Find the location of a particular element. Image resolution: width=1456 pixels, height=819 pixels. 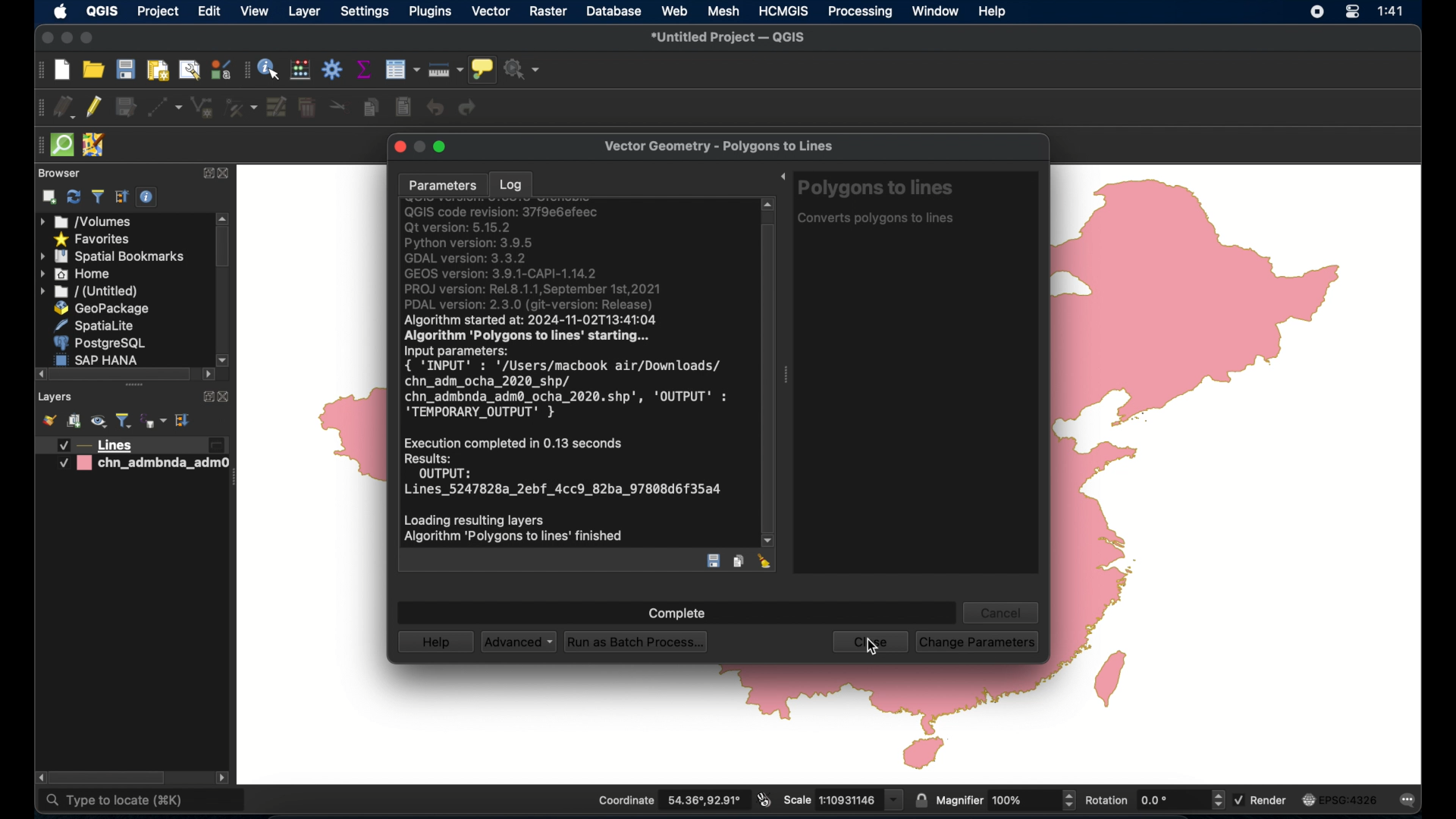

magnifier is located at coordinates (1006, 799).